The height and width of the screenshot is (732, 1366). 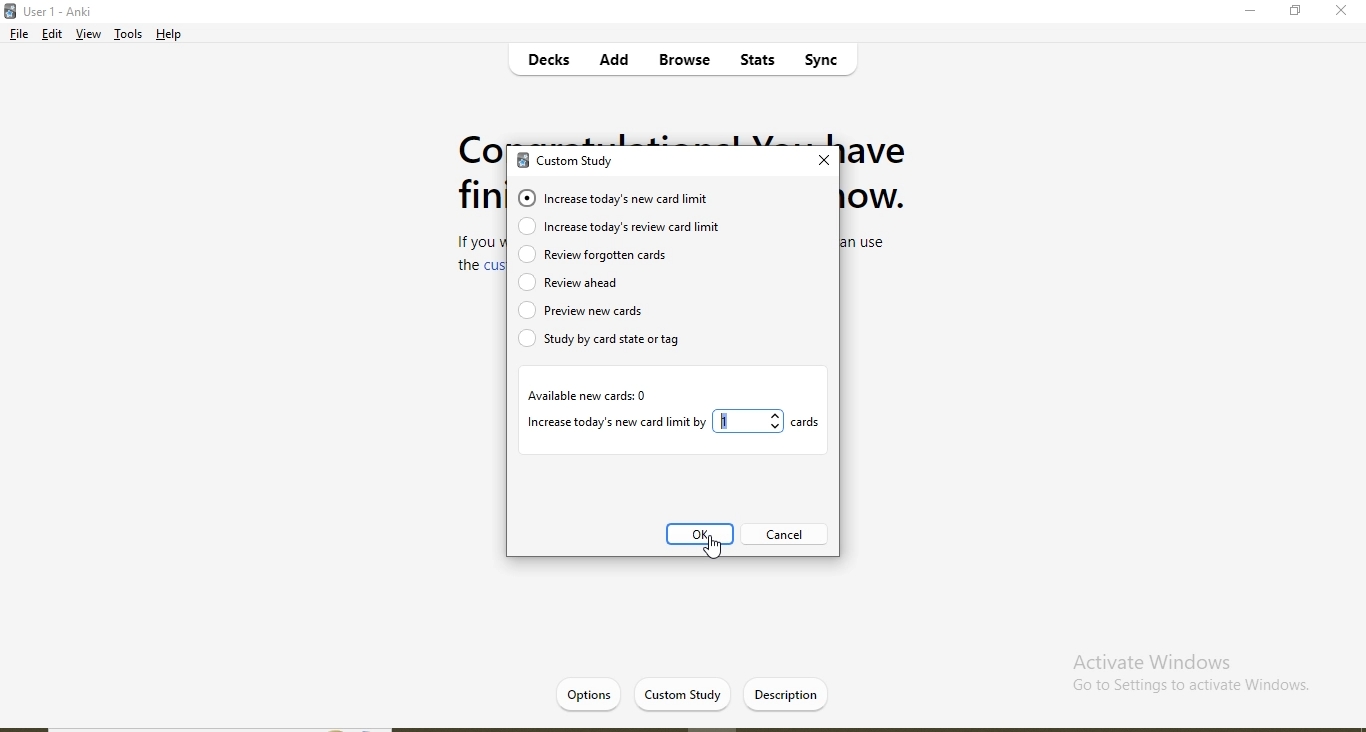 What do you see at coordinates (552, 63) in the screenshot?
I see `decks` at bounding box center [552, 63].